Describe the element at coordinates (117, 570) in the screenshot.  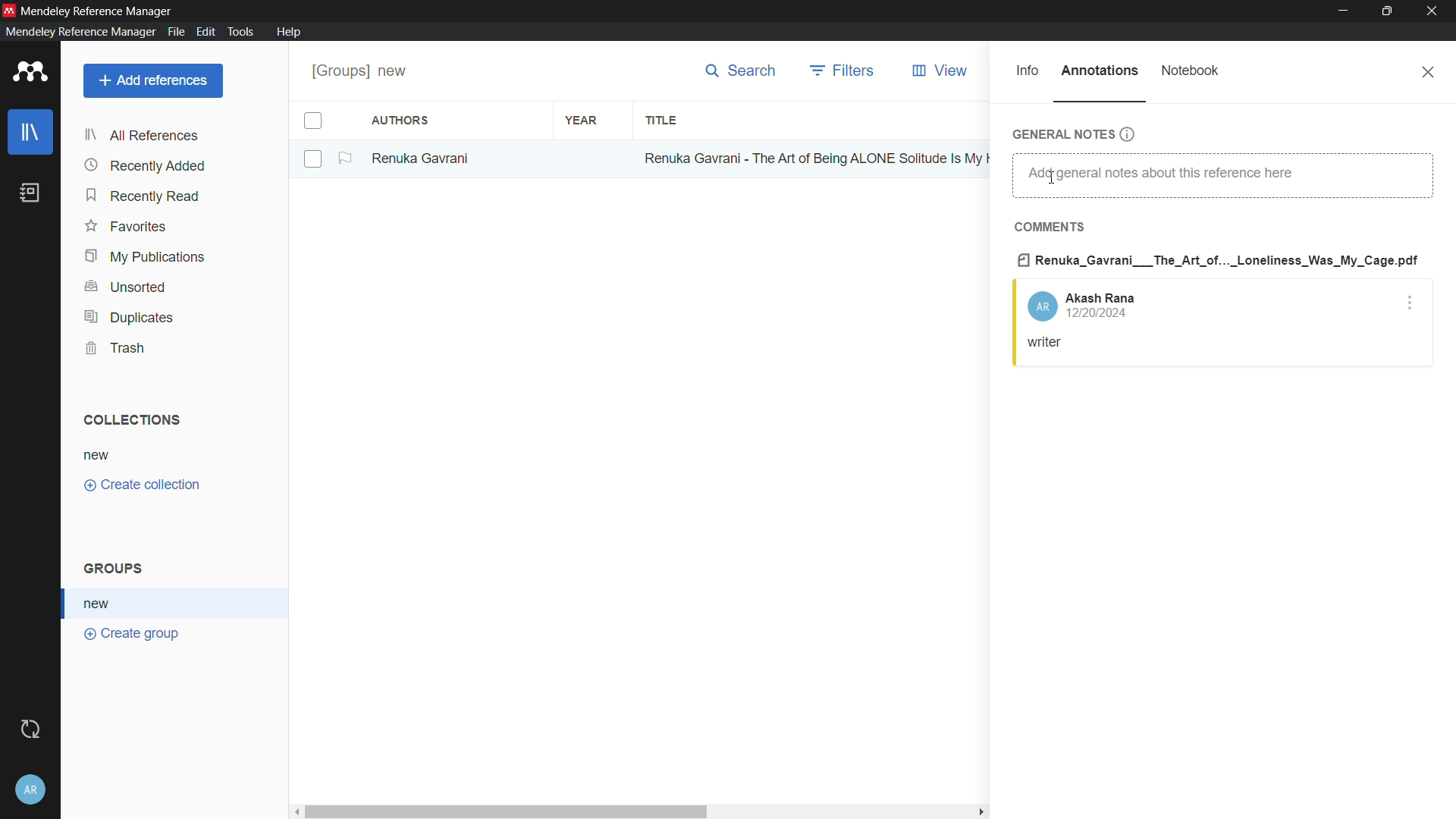
I see `groups` at that location.